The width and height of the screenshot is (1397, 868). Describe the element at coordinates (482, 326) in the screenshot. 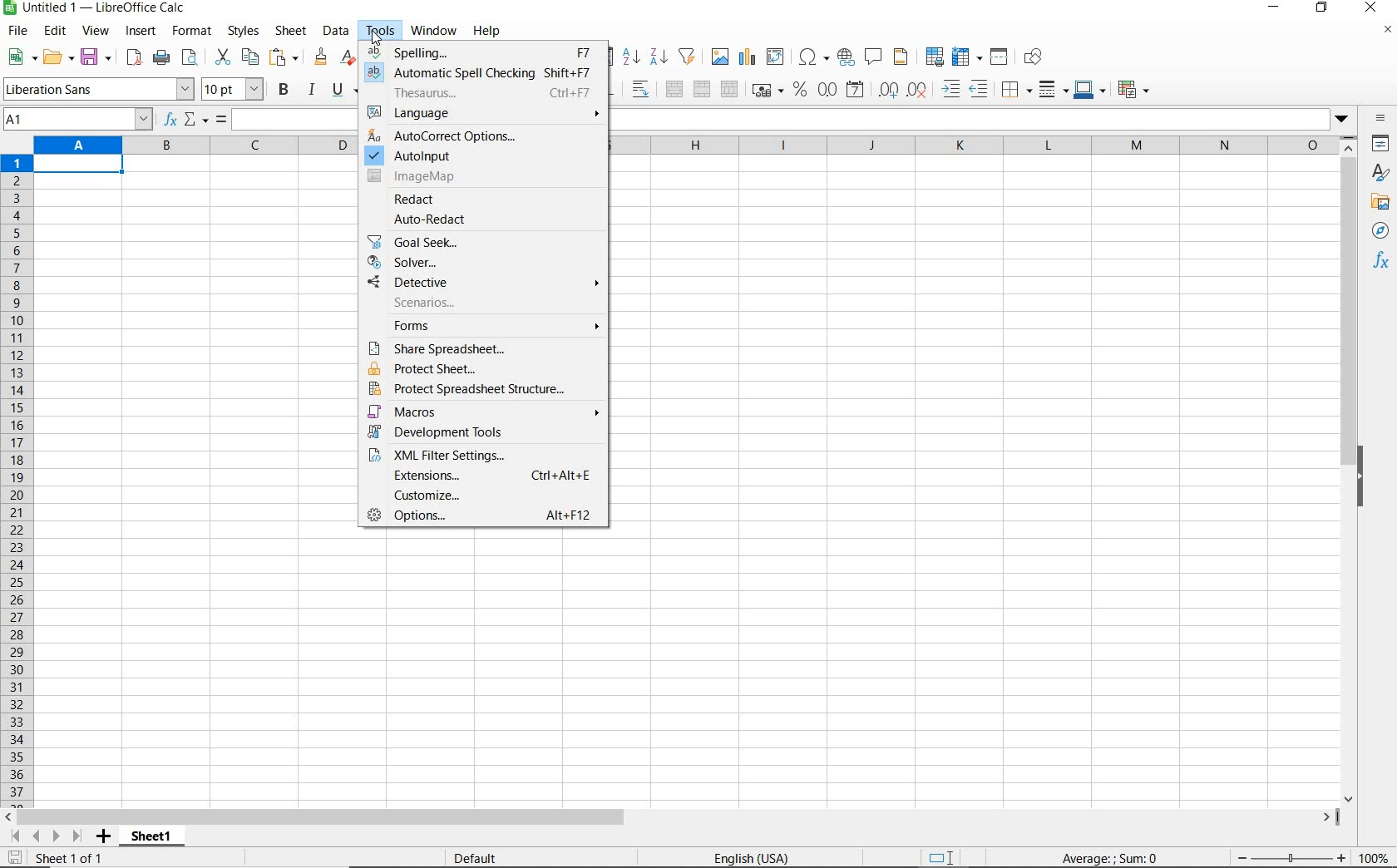

I see `forms` at that location.